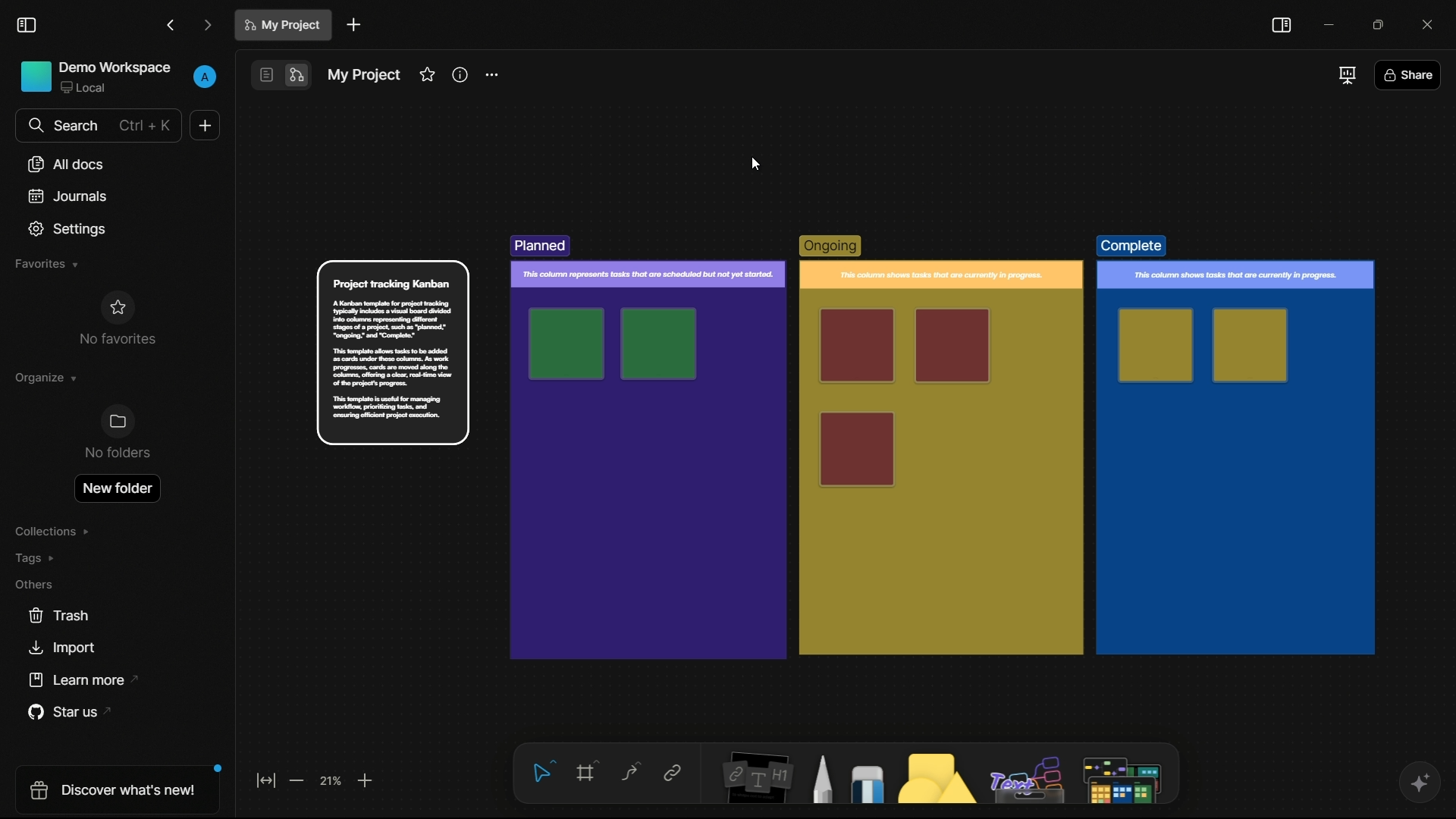  I want to click on notes, so click(757, 777).